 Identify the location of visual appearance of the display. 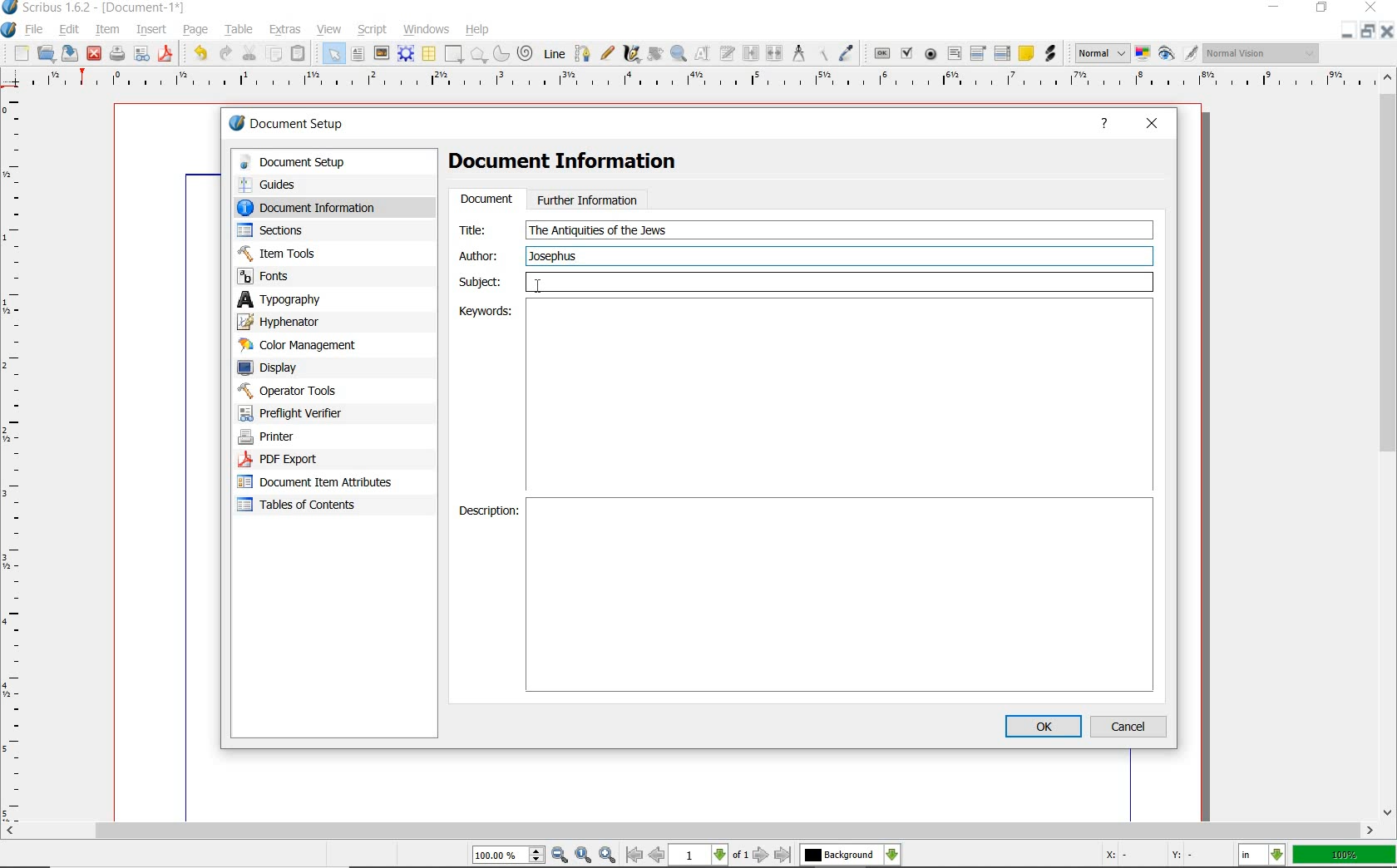
(1262, 52).